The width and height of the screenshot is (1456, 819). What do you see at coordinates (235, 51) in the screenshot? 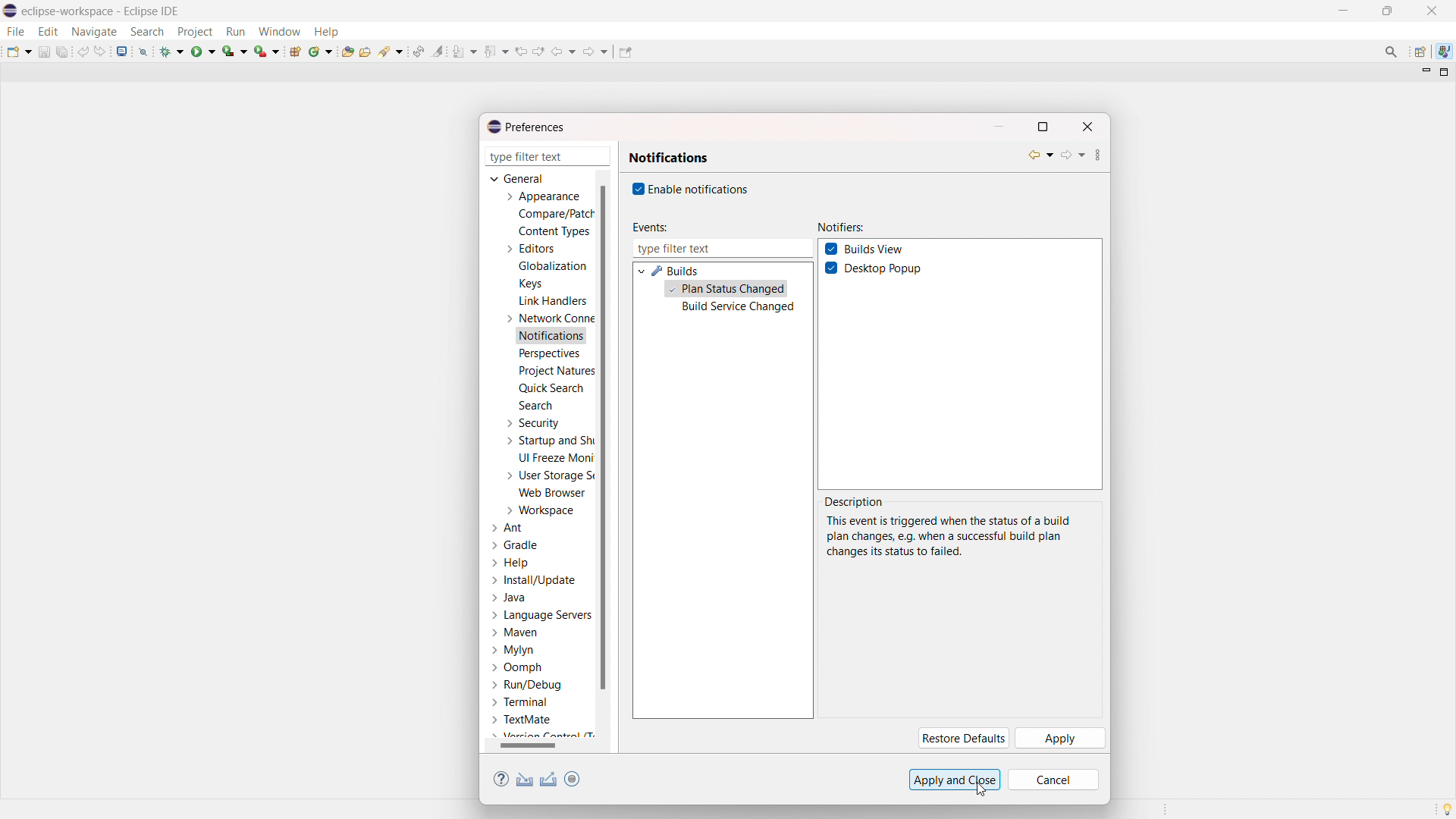
I see `coverage` at bounding box center [235, 51].